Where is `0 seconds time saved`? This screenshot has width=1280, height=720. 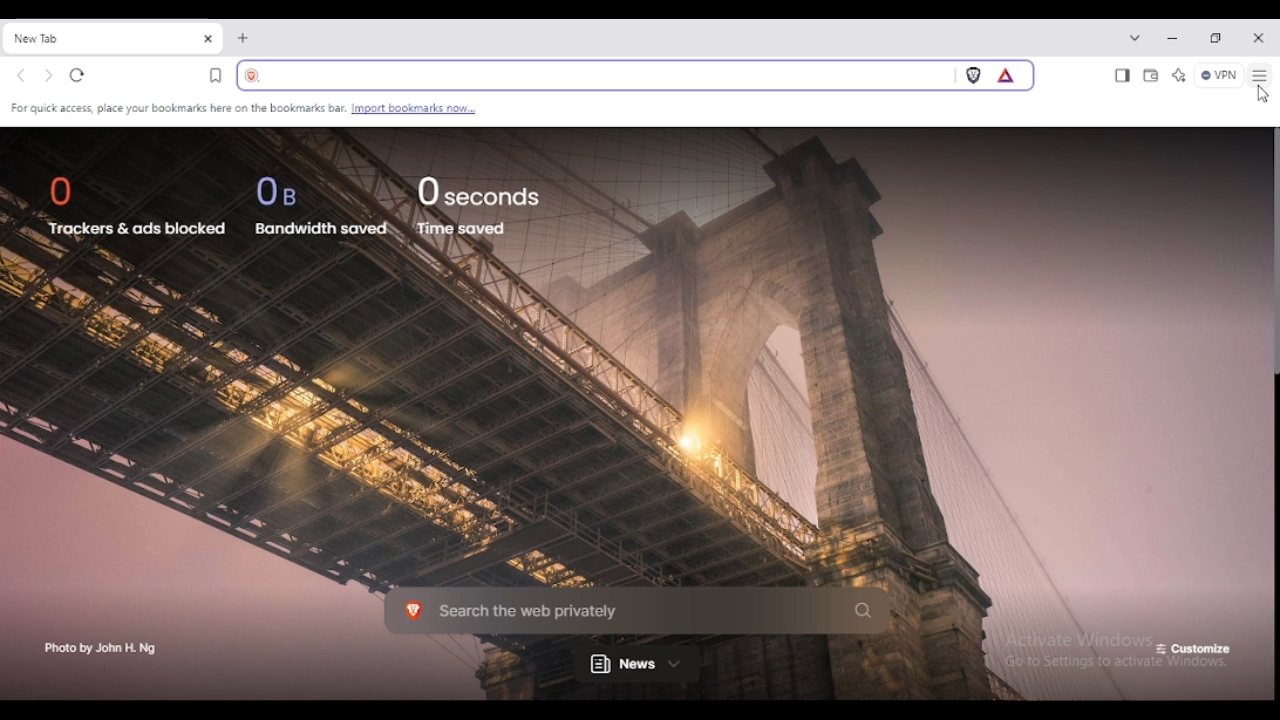
0 seconds time saved is located at coordinates (479, 205).